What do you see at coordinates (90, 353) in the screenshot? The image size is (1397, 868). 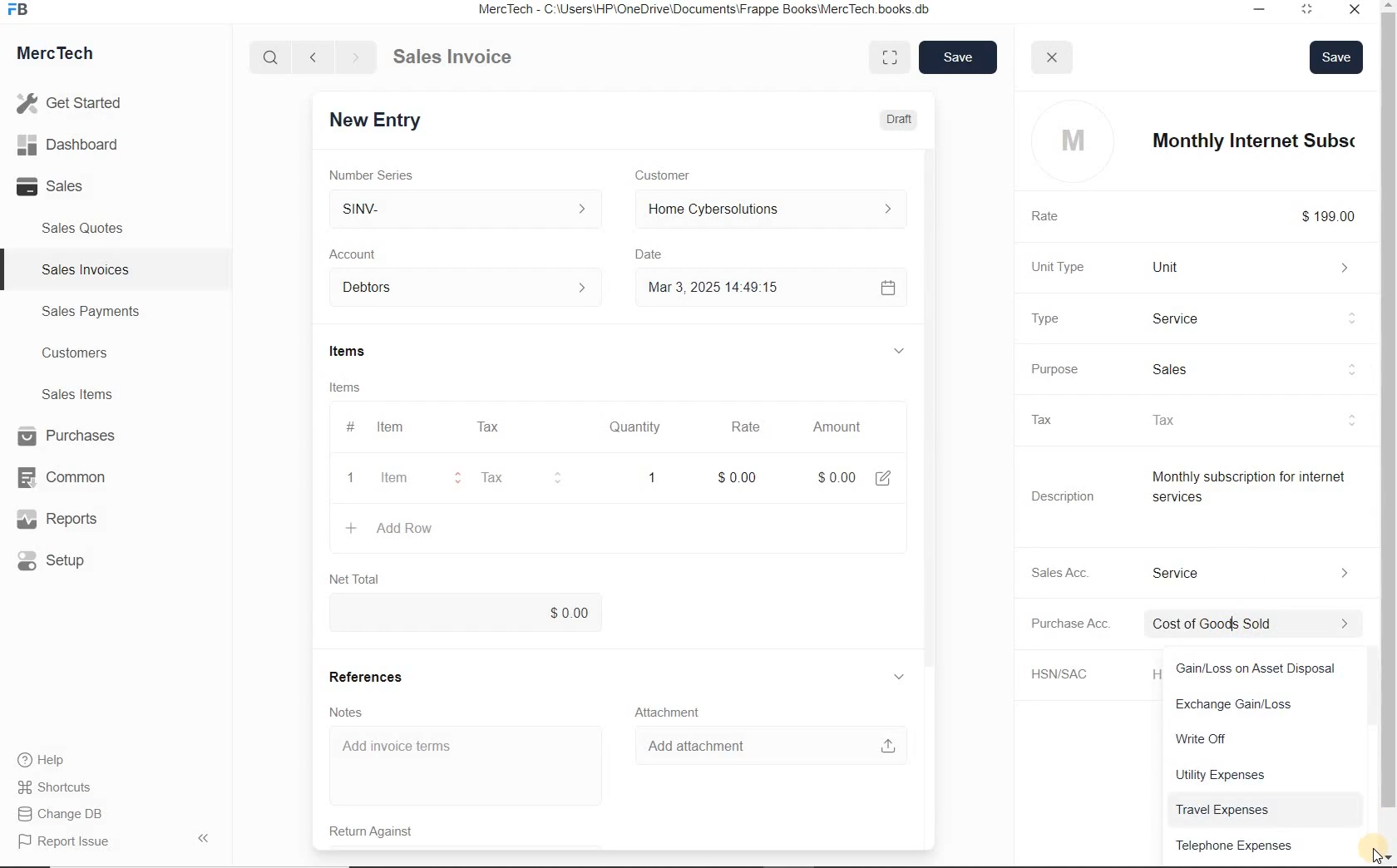 I see `Customers` at bounding box center [90, 353].